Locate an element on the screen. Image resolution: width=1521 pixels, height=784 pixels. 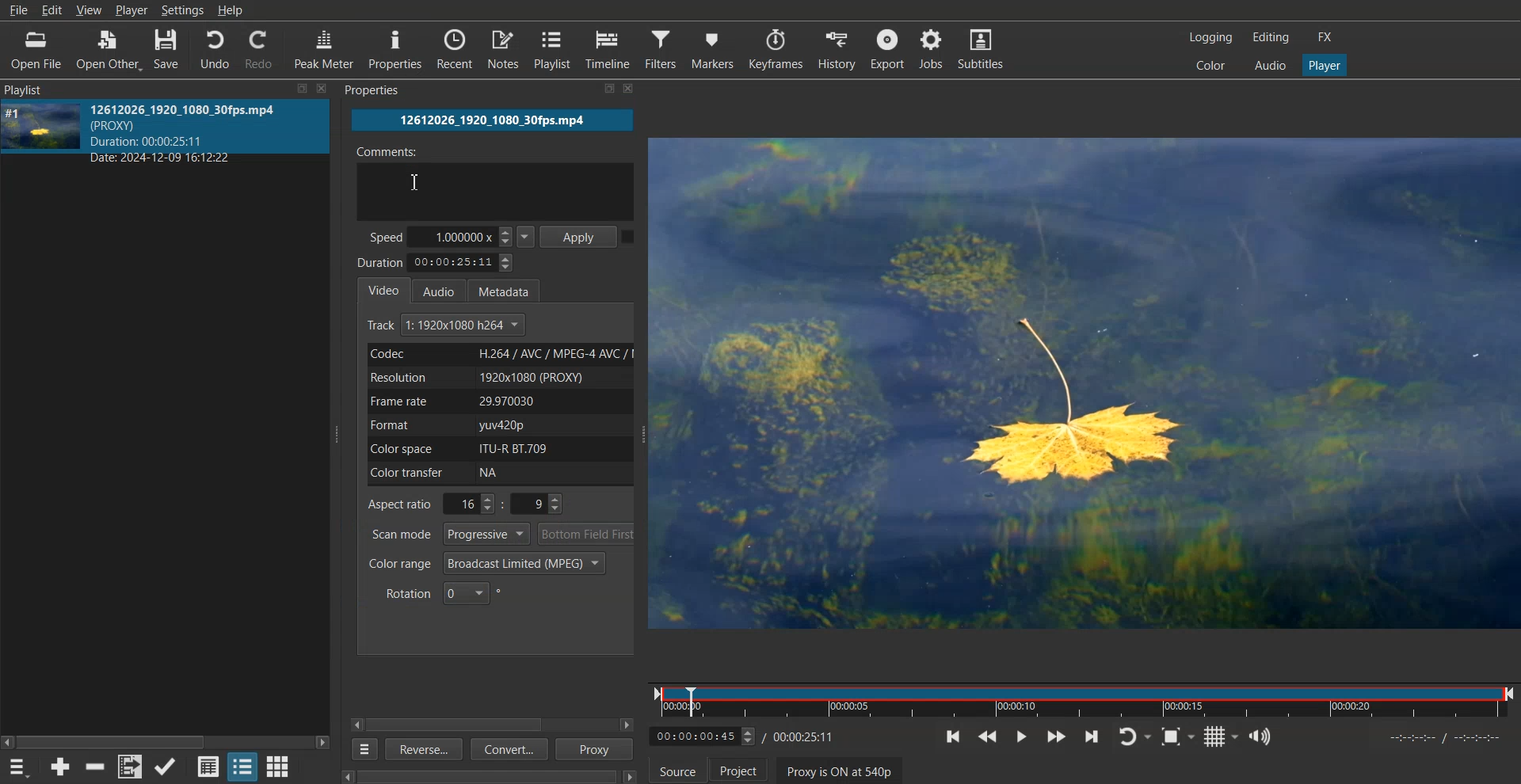
Frame rate is located at coordinates (497, 401).